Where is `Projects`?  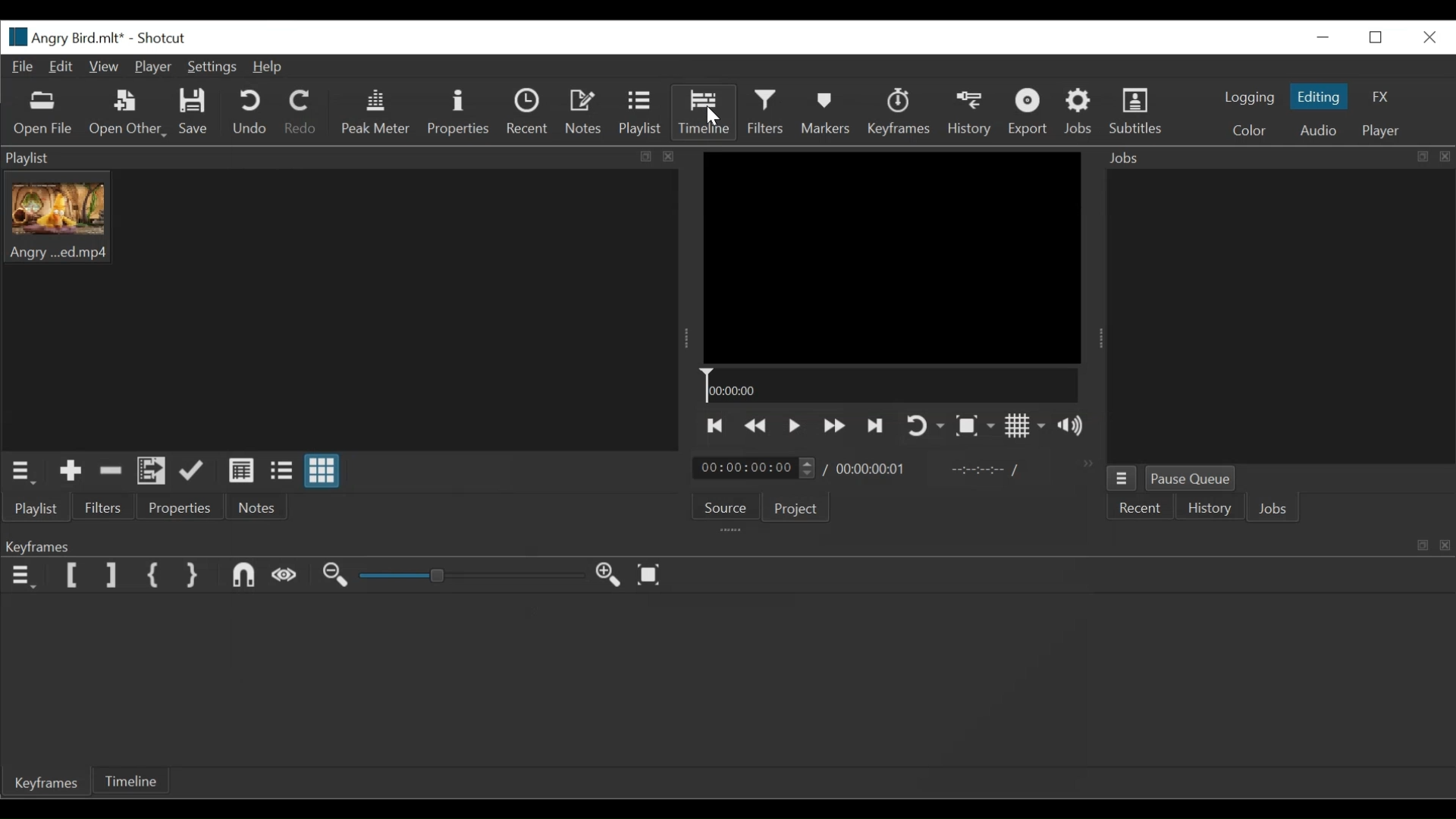 Projects is located at coordinates (797, 507).